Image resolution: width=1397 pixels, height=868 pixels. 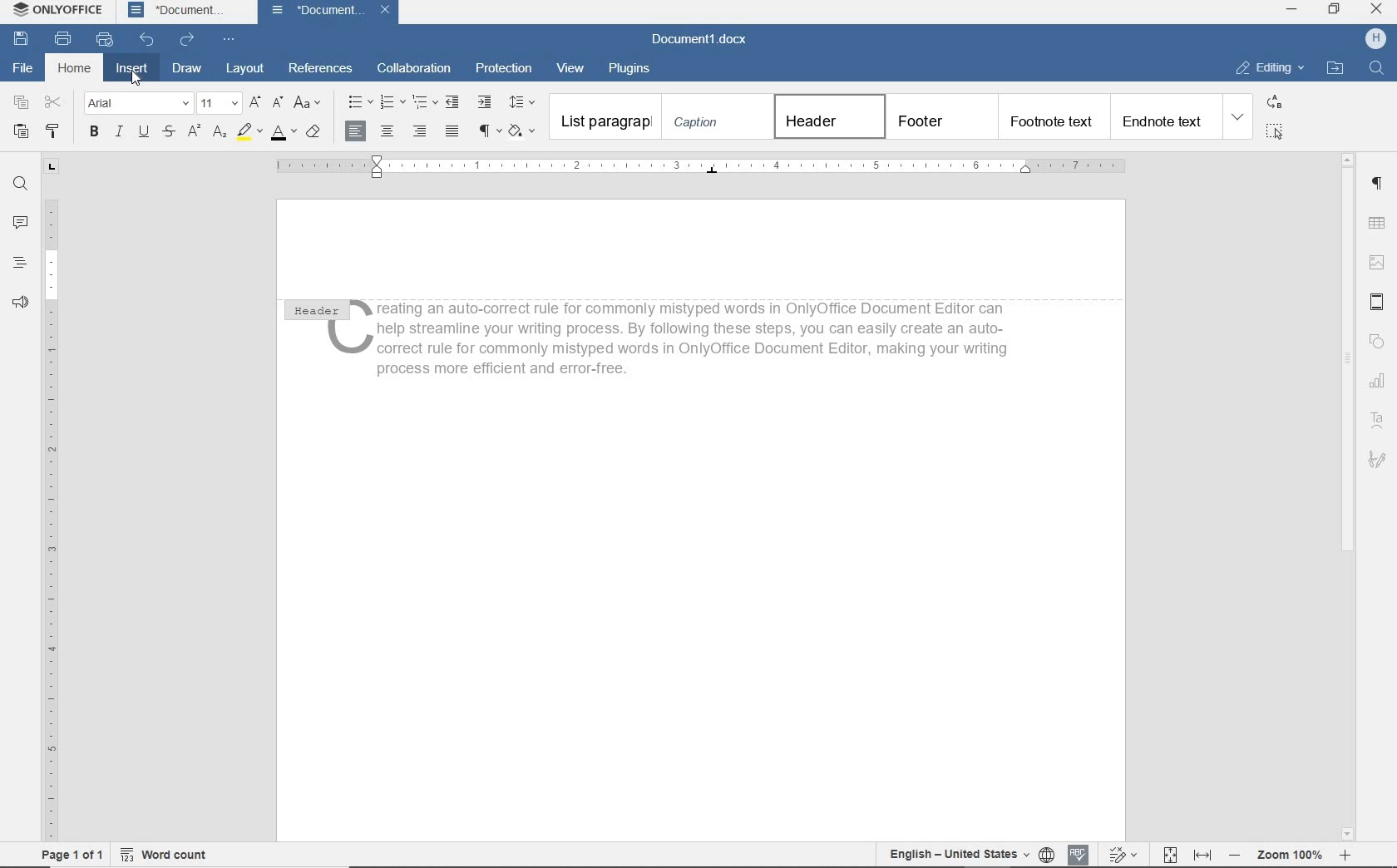 What do you see at coordinates (1378, 420) in the screenshot?
I see `text area` at bounding box center [1378, 420].